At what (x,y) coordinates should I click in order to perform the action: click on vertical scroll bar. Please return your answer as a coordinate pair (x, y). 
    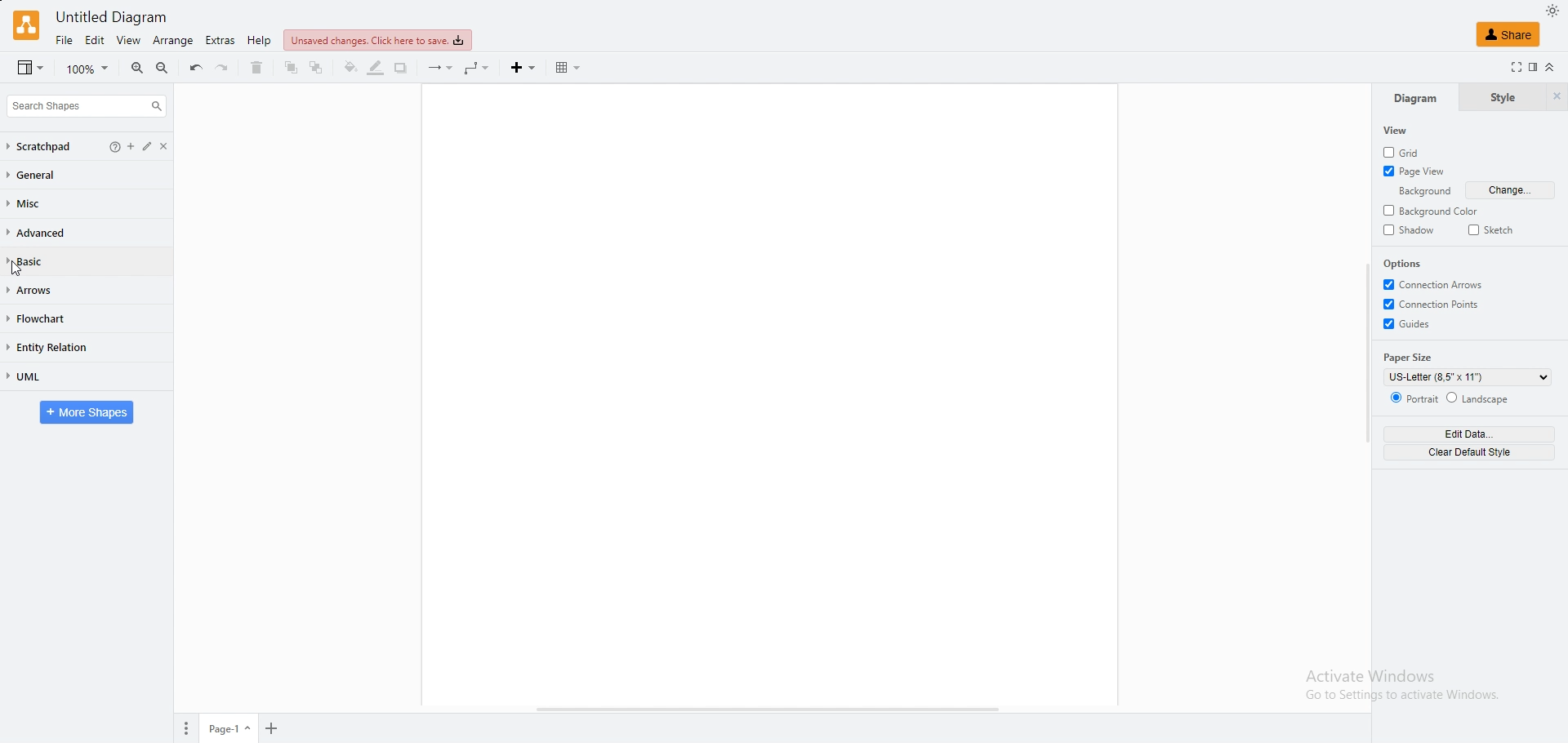
    Looking at the image, I should click on (1366, 352).